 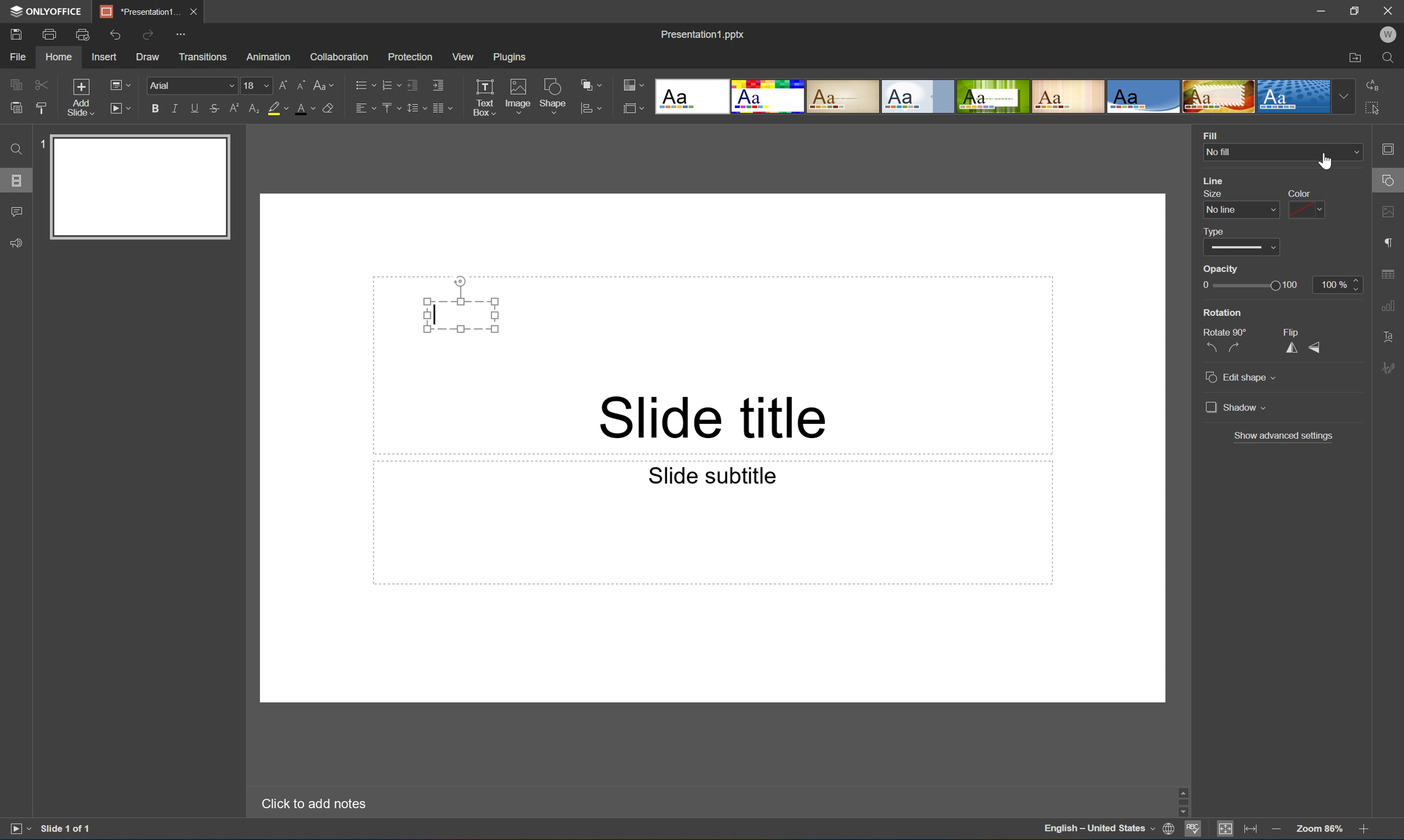 What do you see at coordinates (16, 84) in the screenshot?
I see `Copy` at bounding box center [16, 84].